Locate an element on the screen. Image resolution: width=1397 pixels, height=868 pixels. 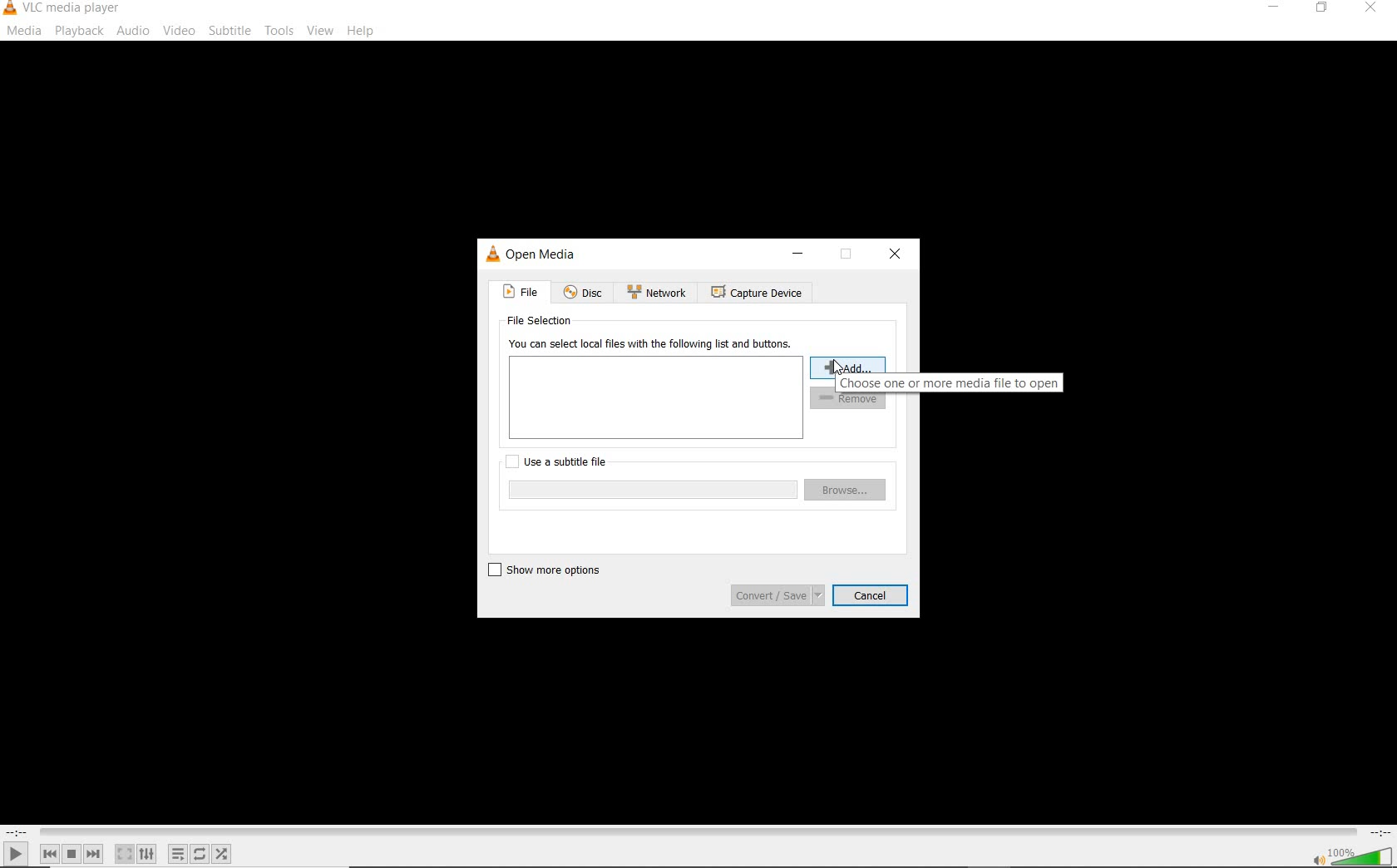
mute/unmute is located at coordinates (1317, 859).